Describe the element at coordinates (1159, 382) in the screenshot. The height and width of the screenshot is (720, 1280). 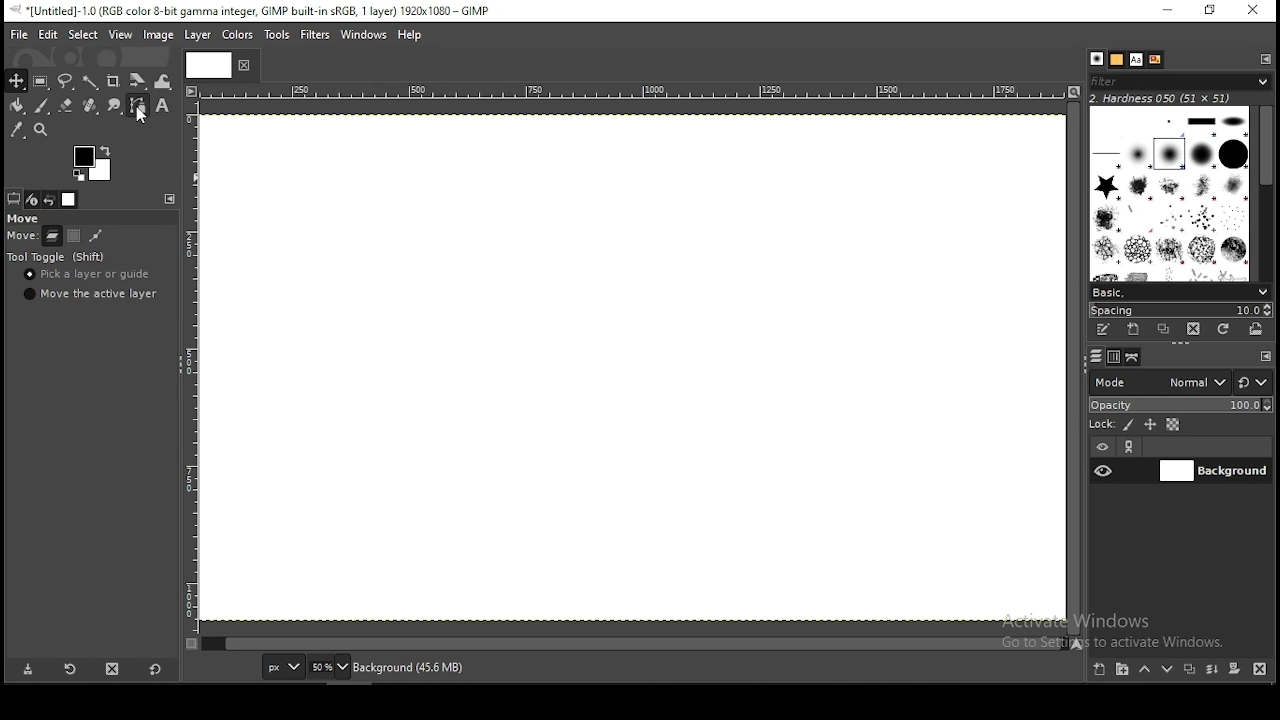
I see `layer modes` at that location.